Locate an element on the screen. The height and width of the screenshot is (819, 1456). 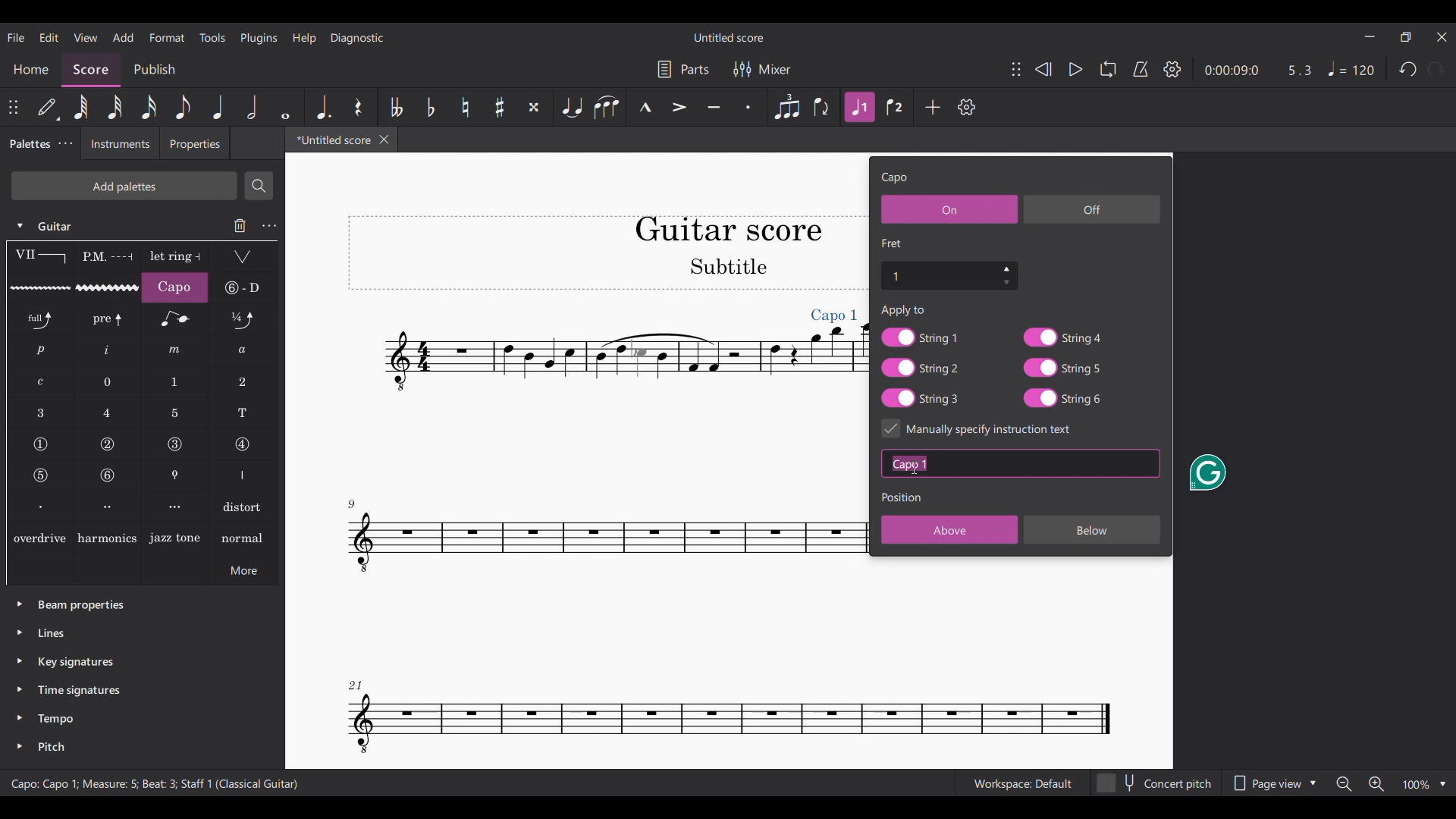
Publish is located at coordinates (155, 71).